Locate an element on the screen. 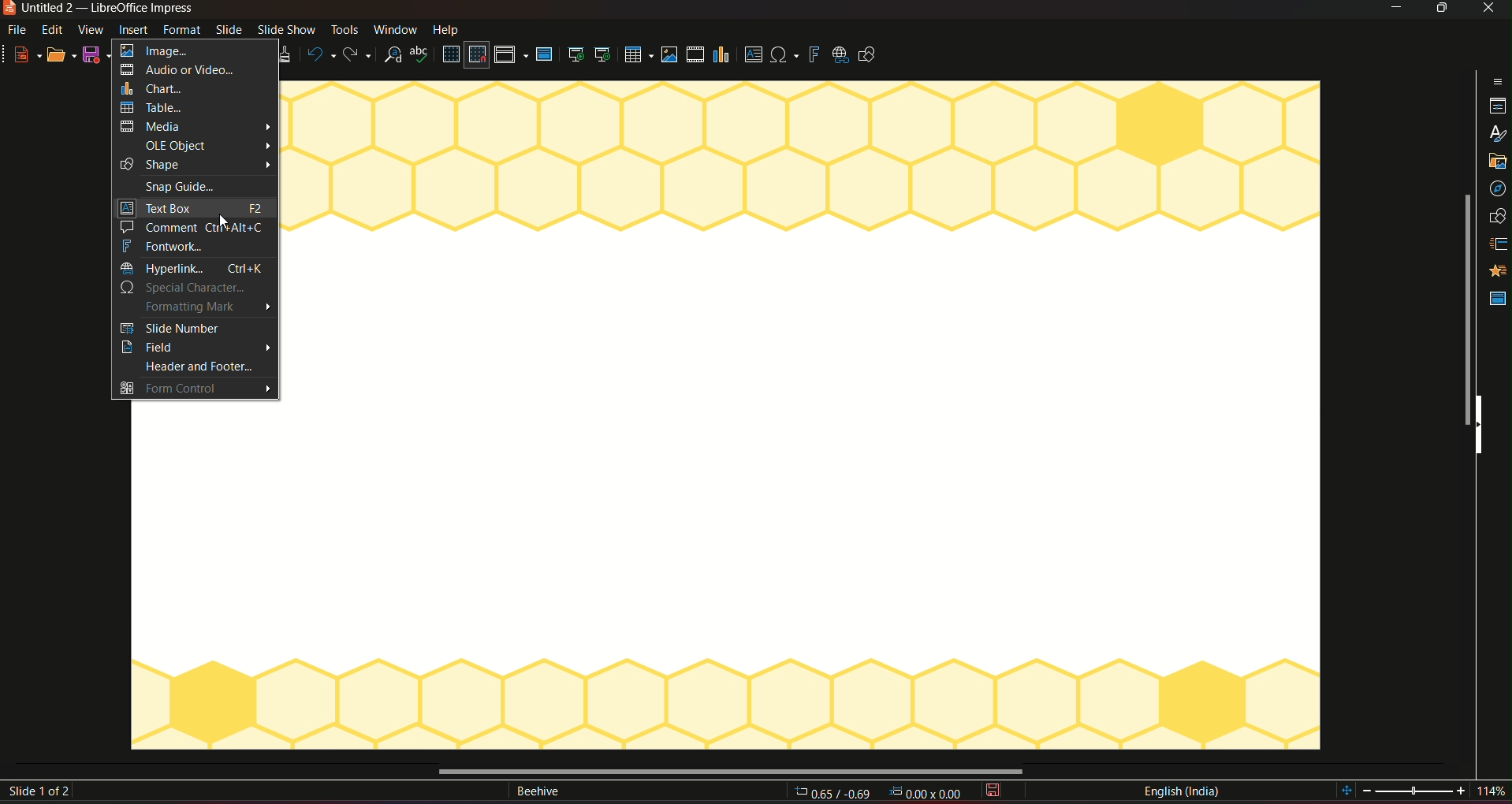 Image resolution: width=1512 pixels, height=804 pixels. hyperlink    Ctrl+K is located at coordinates (192, 268).